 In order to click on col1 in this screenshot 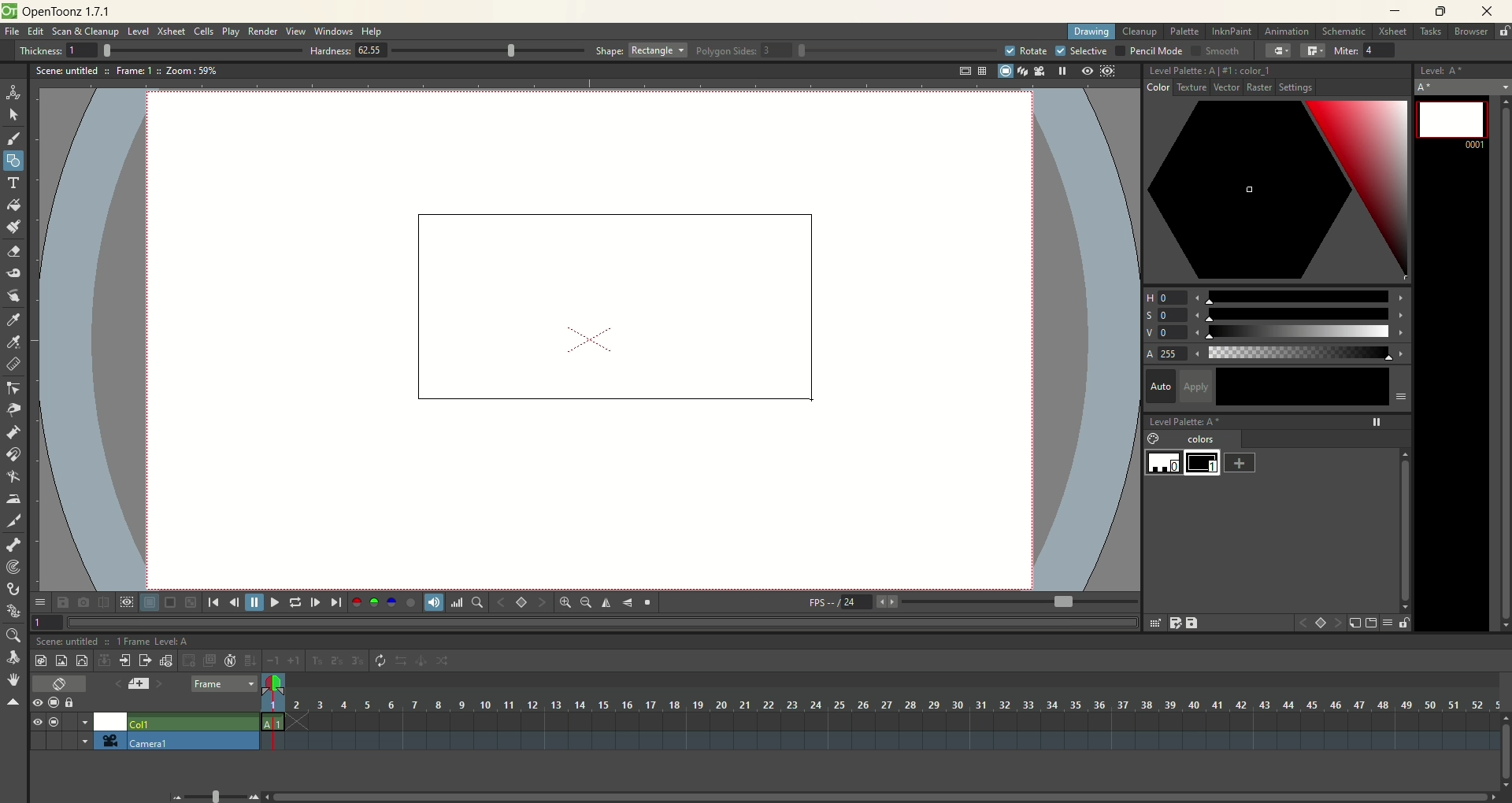, I will do `click(192, 720)`.